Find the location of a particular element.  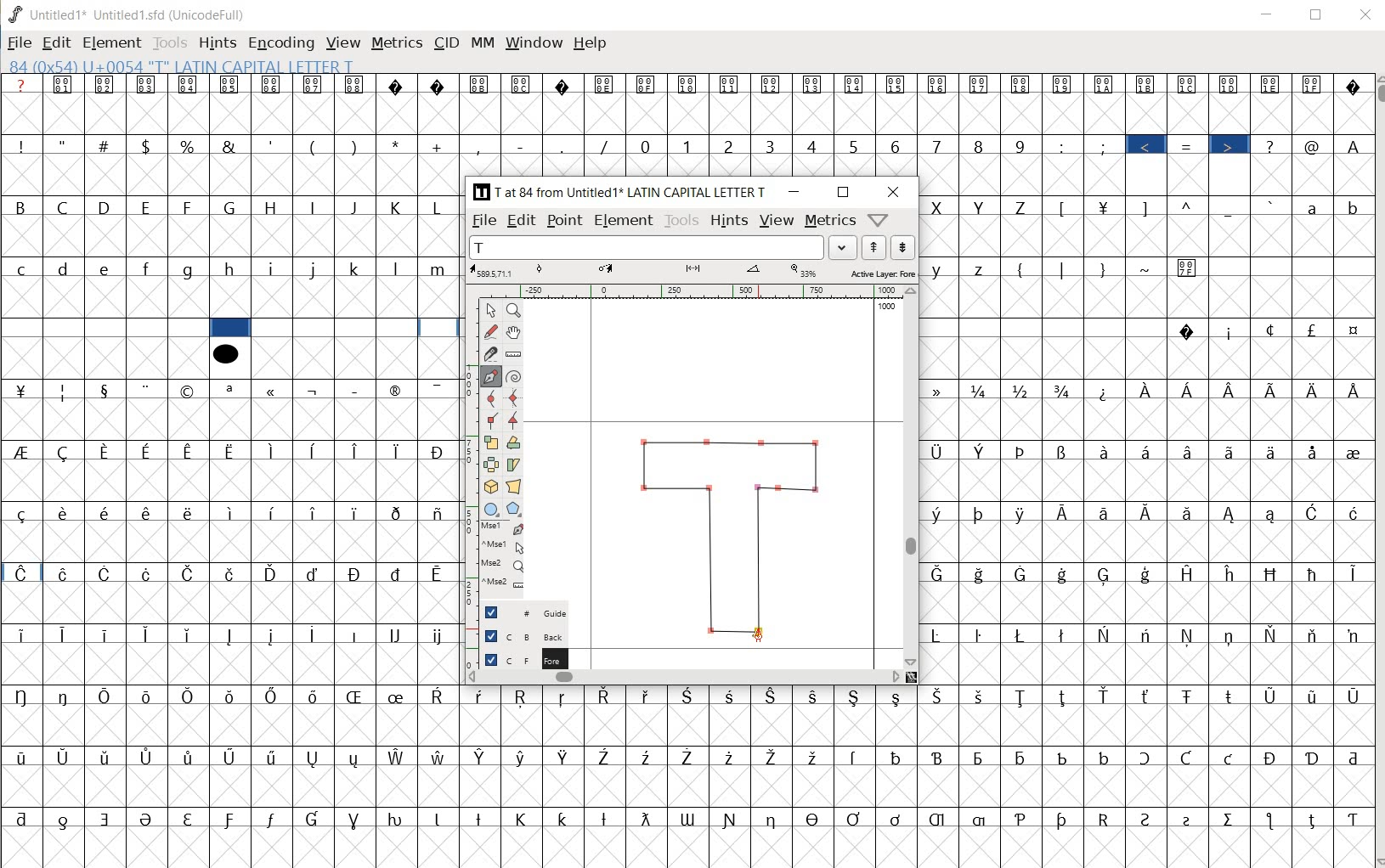

Symbol is located at coordinates (65, 820).